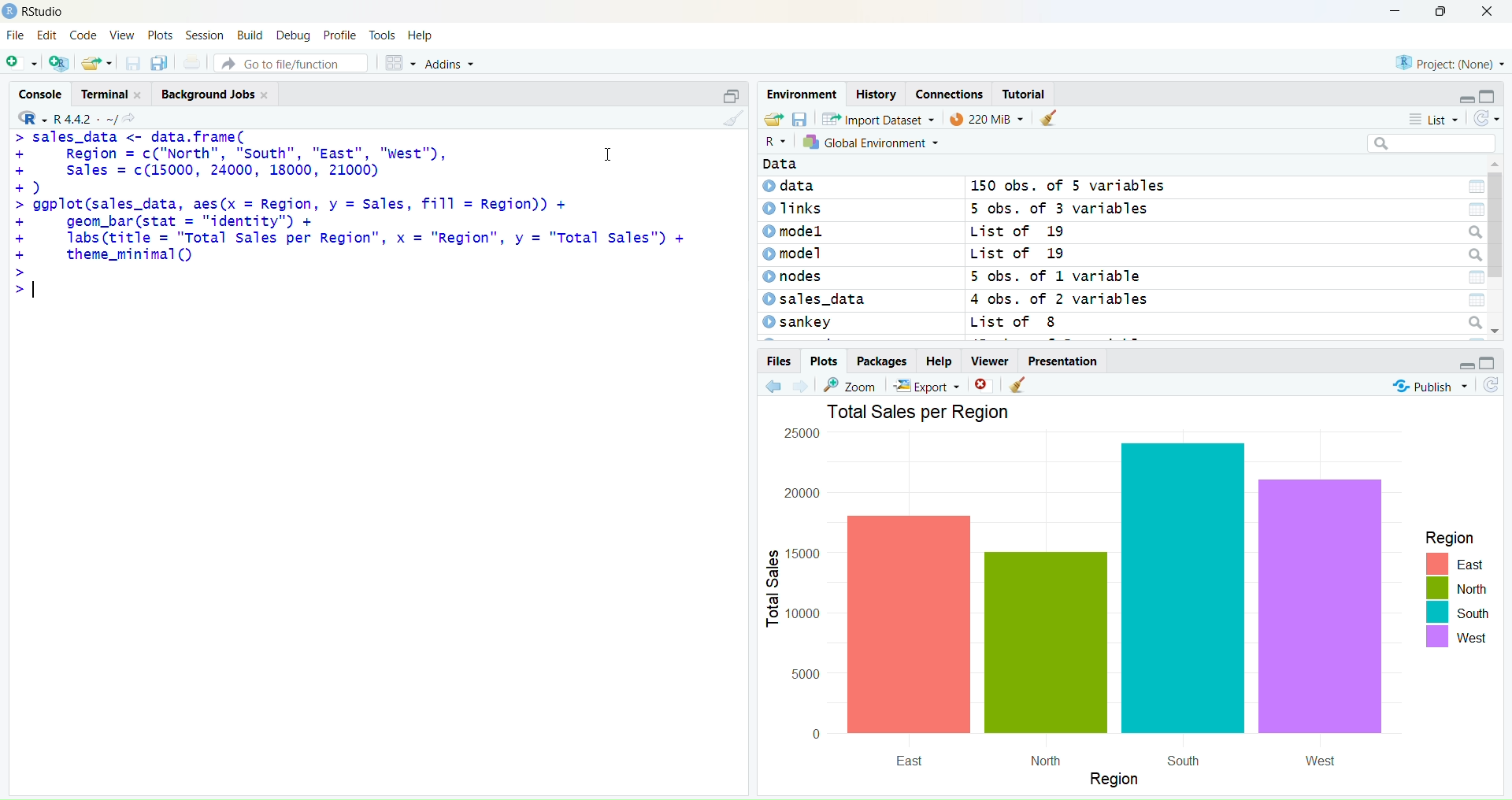 This screenshot has width=1512, height=800. I want to click on © data 150 obs. of 5 variables
© Tinks 5 obs. of 3 variables
© model List of 19

© model List of 19

© nodes 5 obs. of 1 variable

© sales_data 4 obs. of 2 variables
© sankey List of 8, so click(1021, 261).